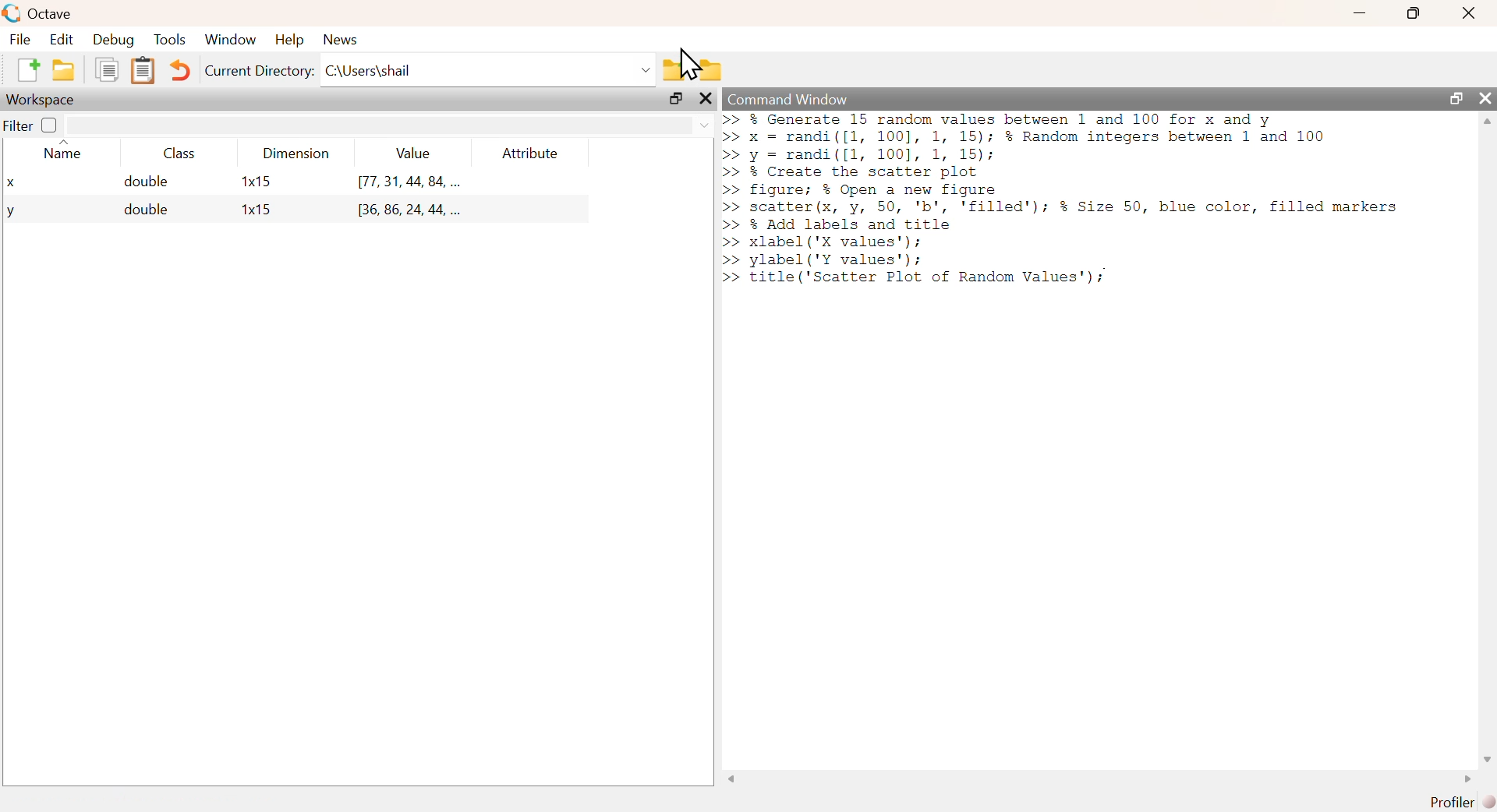 The width and height of the screenshot is (1497, 812). I want to click on close, so click(705, 98).